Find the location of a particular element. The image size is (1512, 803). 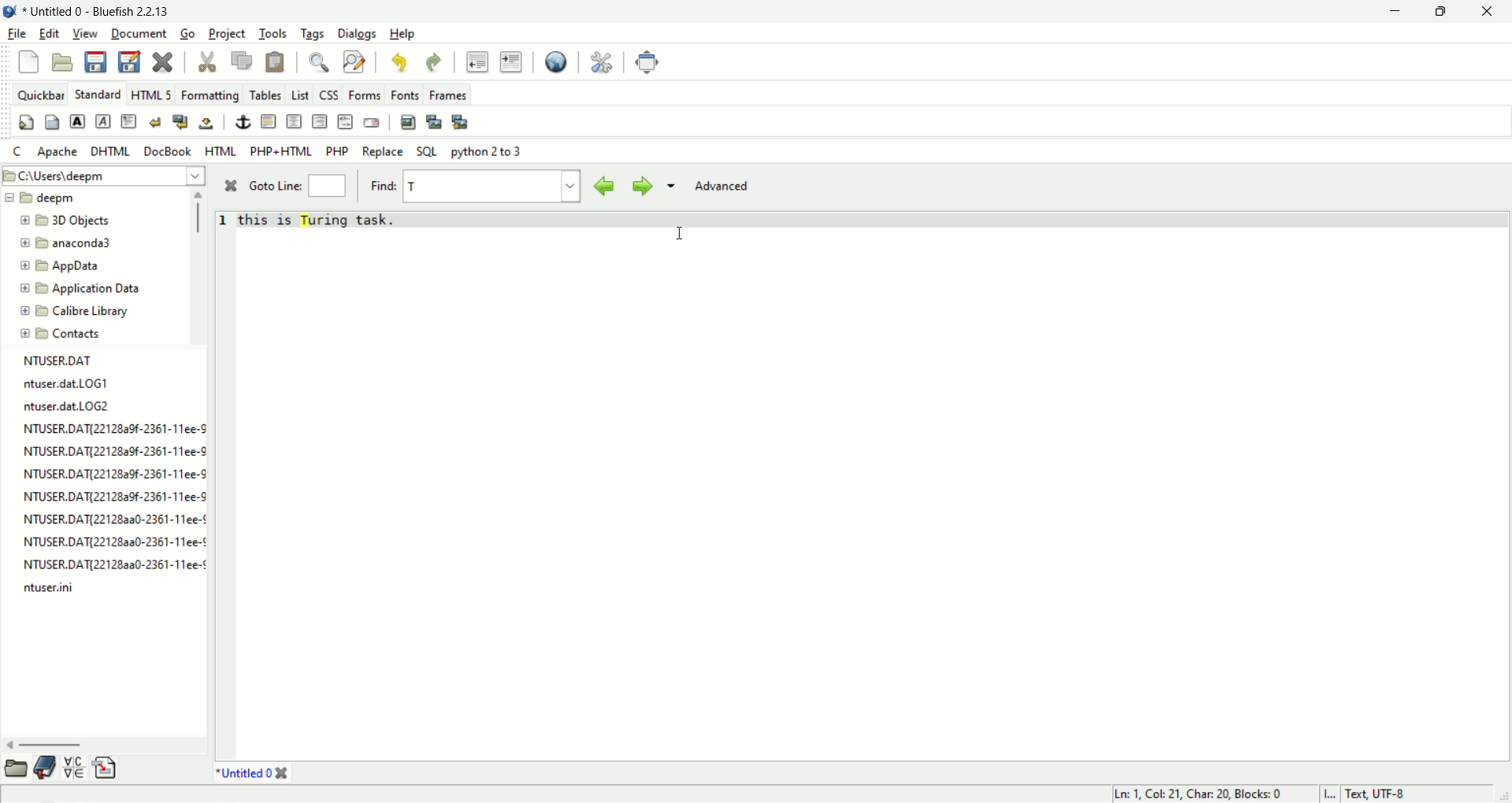

paste is located at coordinates (275, 63).